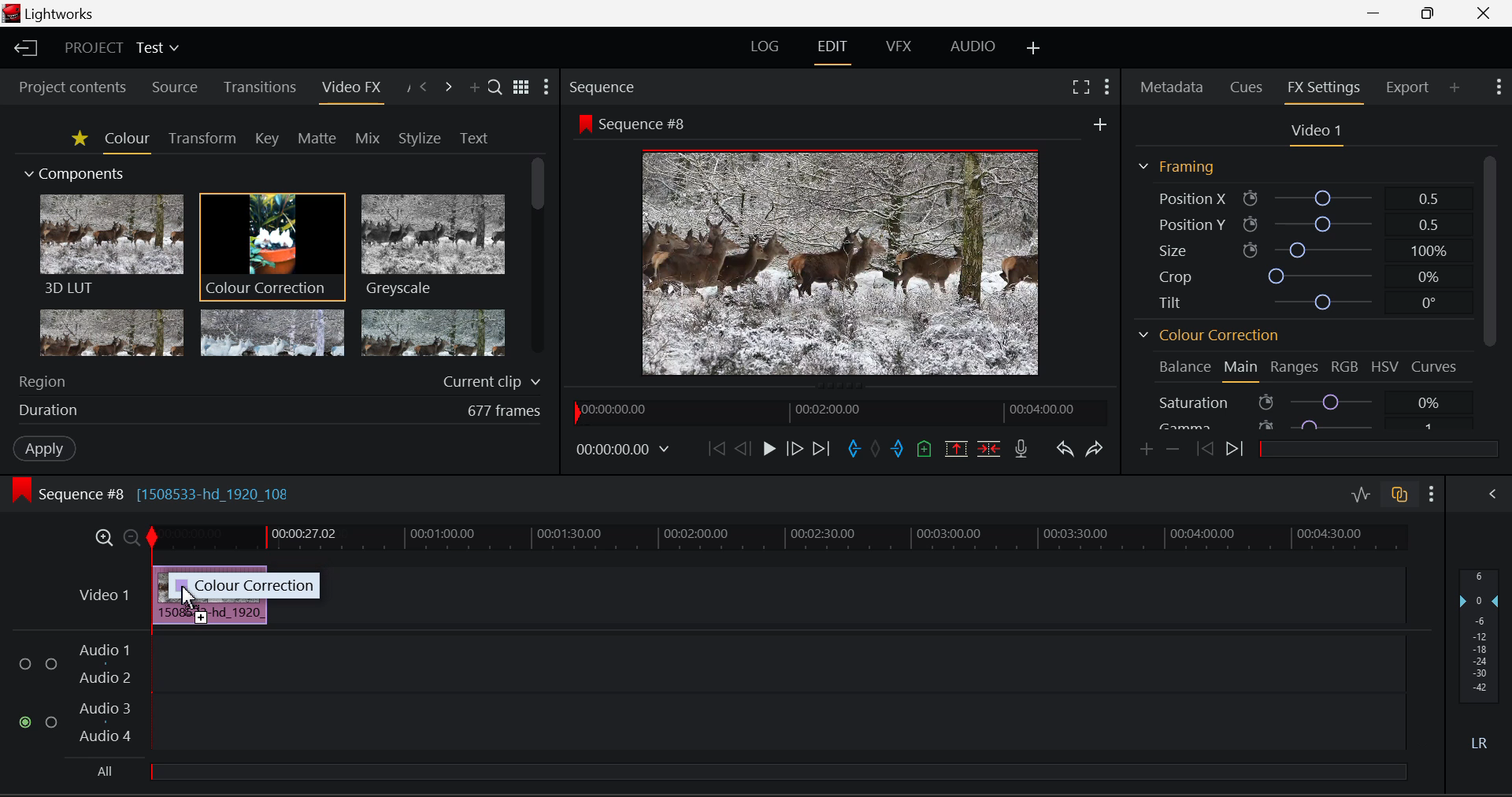 Image resolution: width=1512 pixels, height=797 pixels. Describe the element at coordinates (474, 138) in the screenshot. I see `Text` at that location.